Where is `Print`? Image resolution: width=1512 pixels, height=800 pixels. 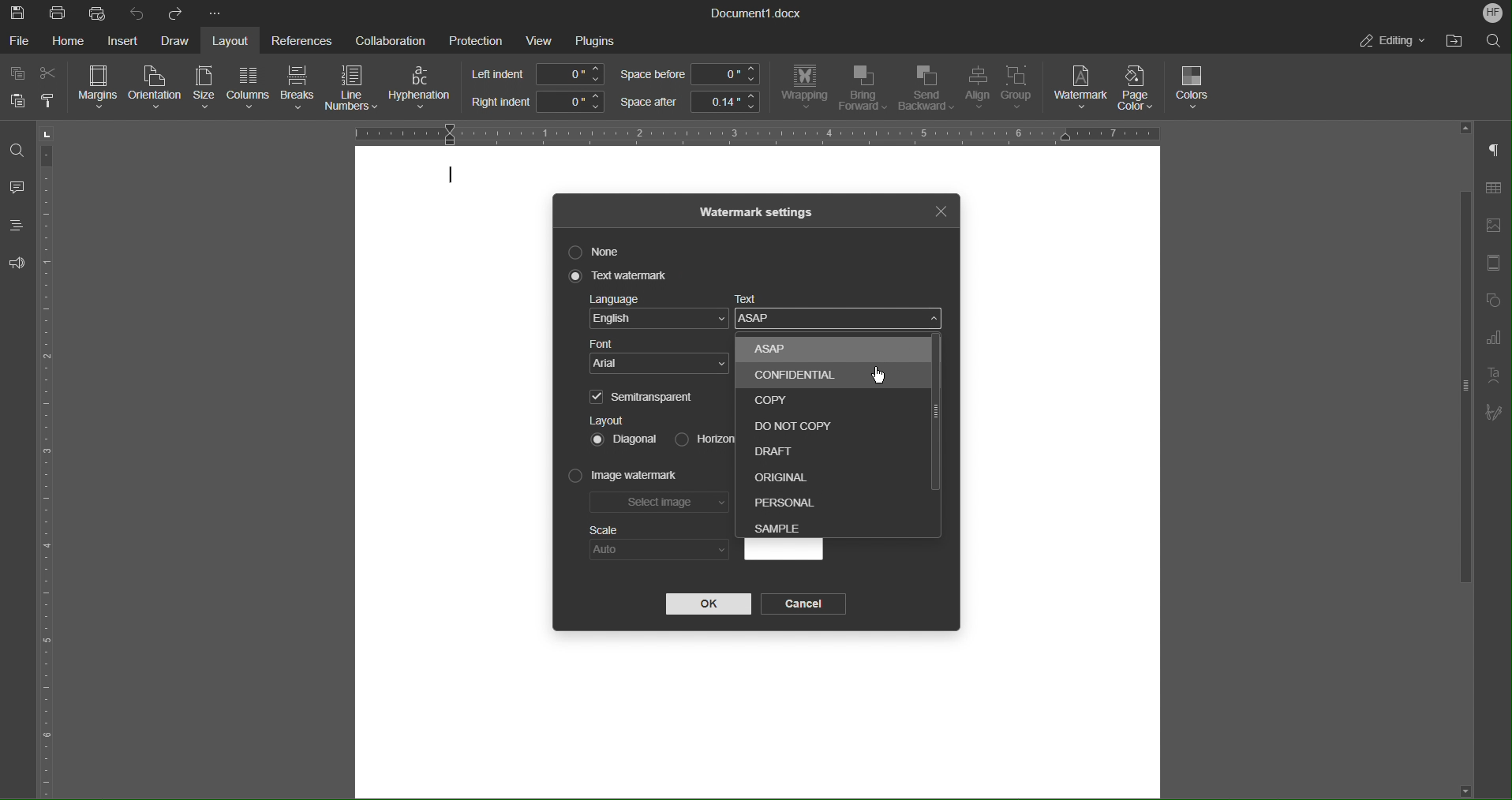 Print is located at coordinates (59, 13).